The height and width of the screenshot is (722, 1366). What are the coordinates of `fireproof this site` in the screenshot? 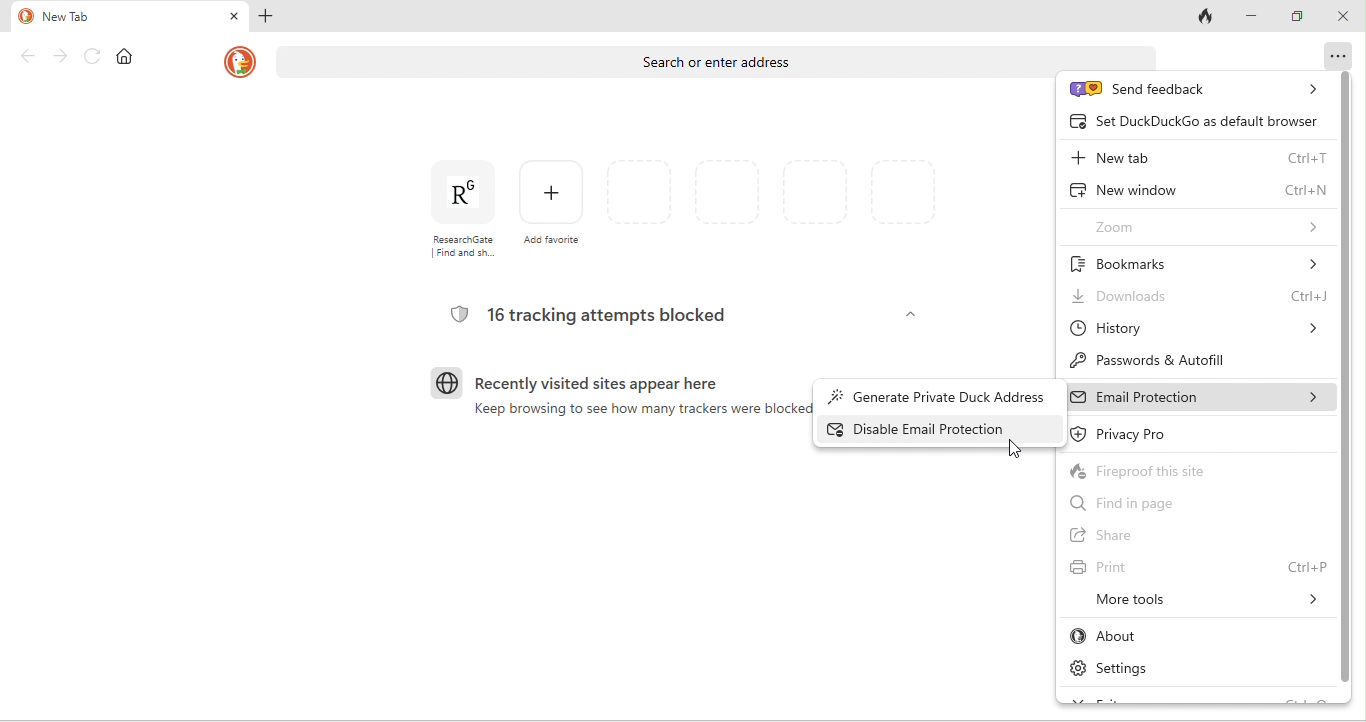 It's located at (1162, 470).